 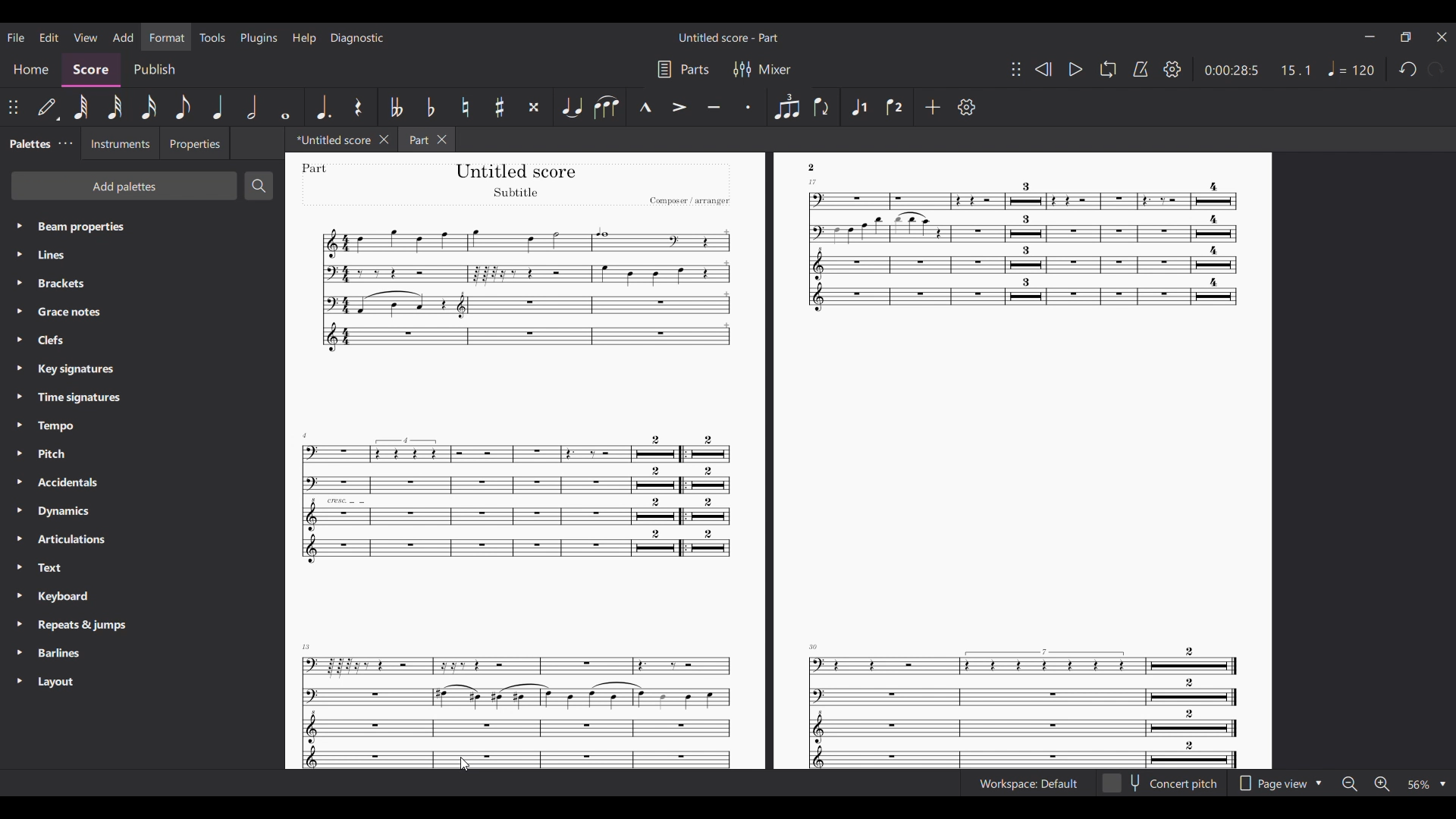 What do you see at coordinates (858, 107) in the screenshot?
I see `Voice 1` at bounding box center [858, 107].